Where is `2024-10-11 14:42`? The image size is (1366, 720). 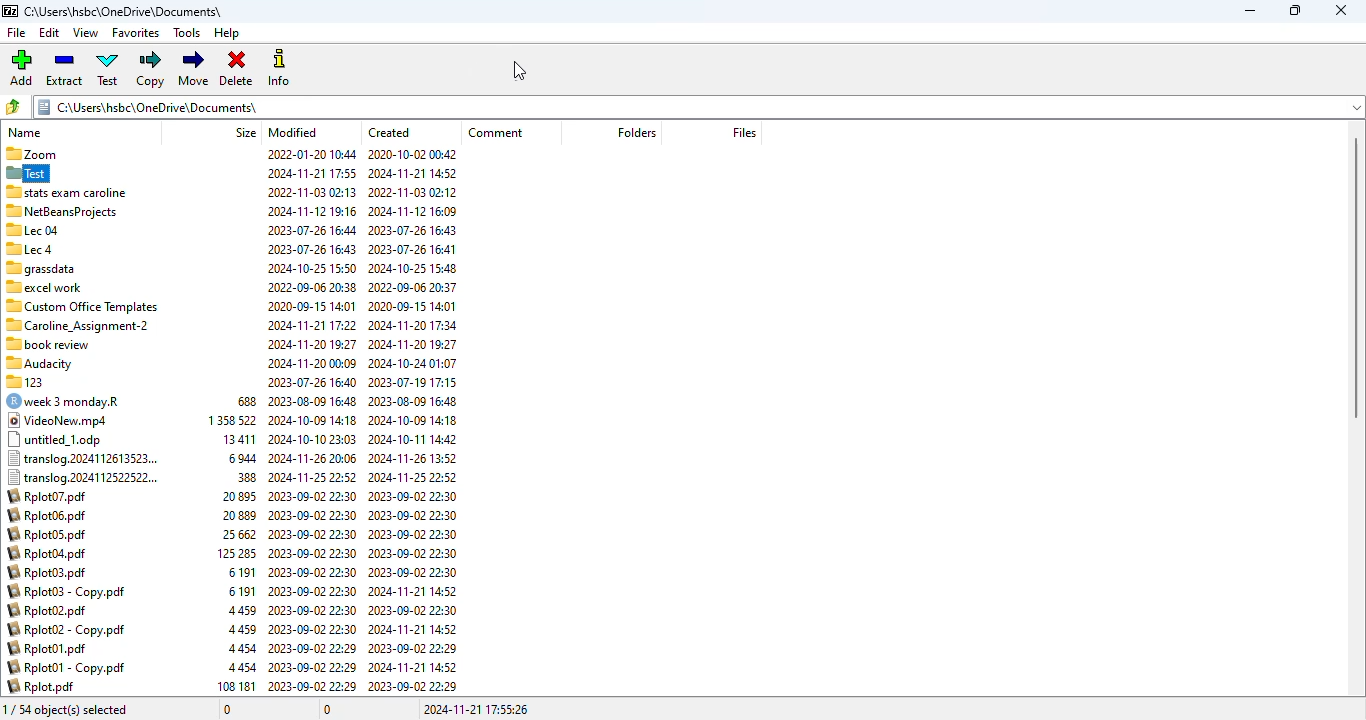
2024-10-11 14:42 is located at coordinates (414, 438).